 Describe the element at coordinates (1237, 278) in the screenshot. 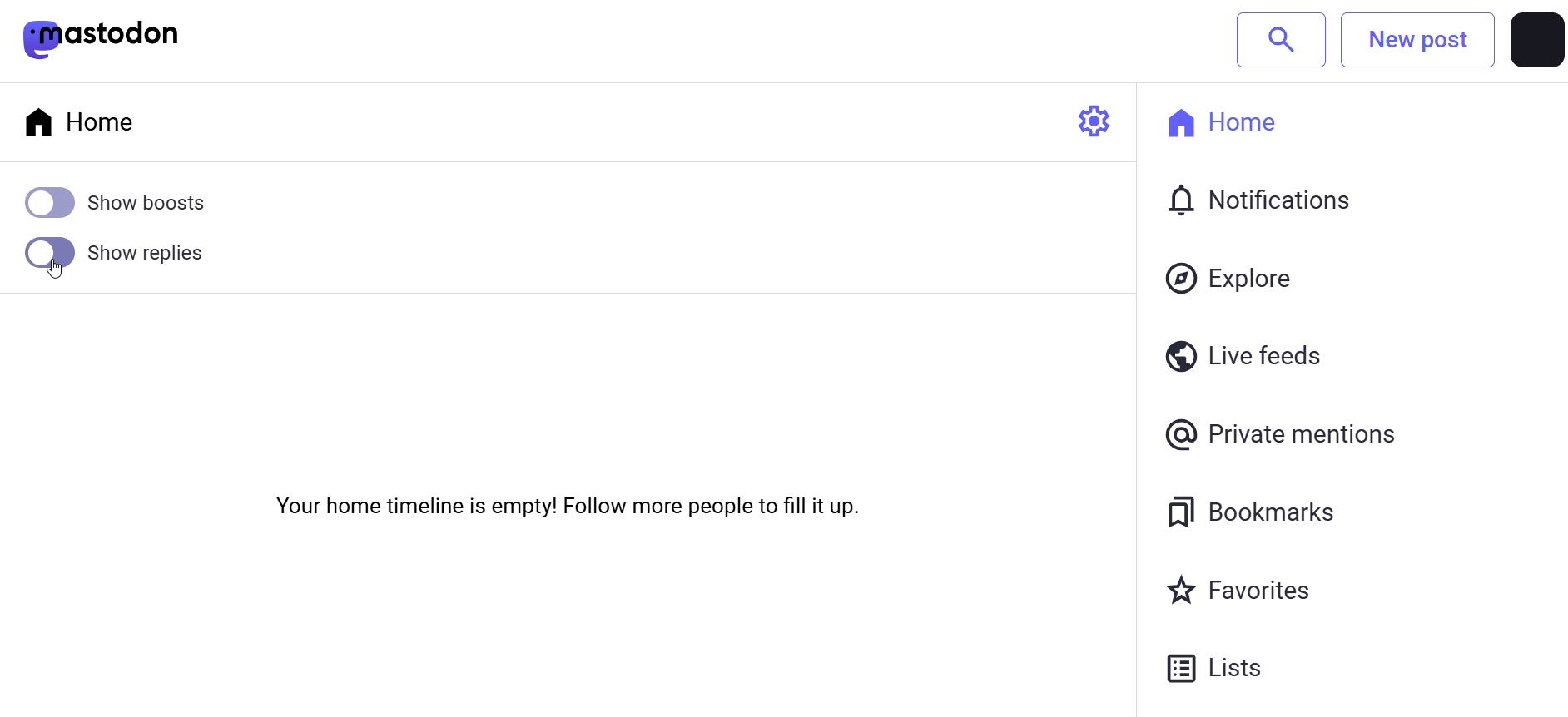

I see `explore` at that location.